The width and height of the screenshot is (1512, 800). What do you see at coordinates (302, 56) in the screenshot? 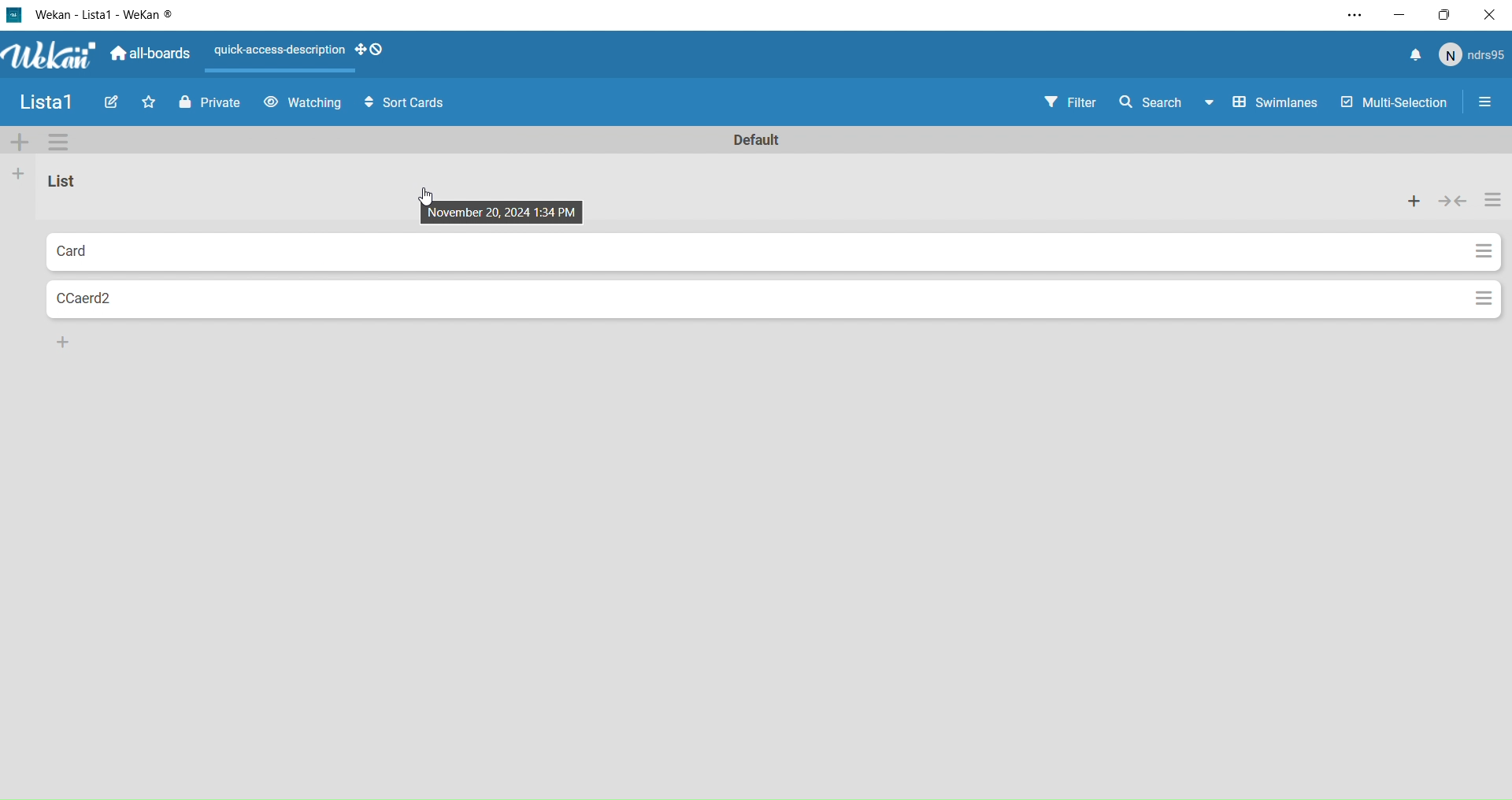
I see `layout options` at bounding box center [302, 56].